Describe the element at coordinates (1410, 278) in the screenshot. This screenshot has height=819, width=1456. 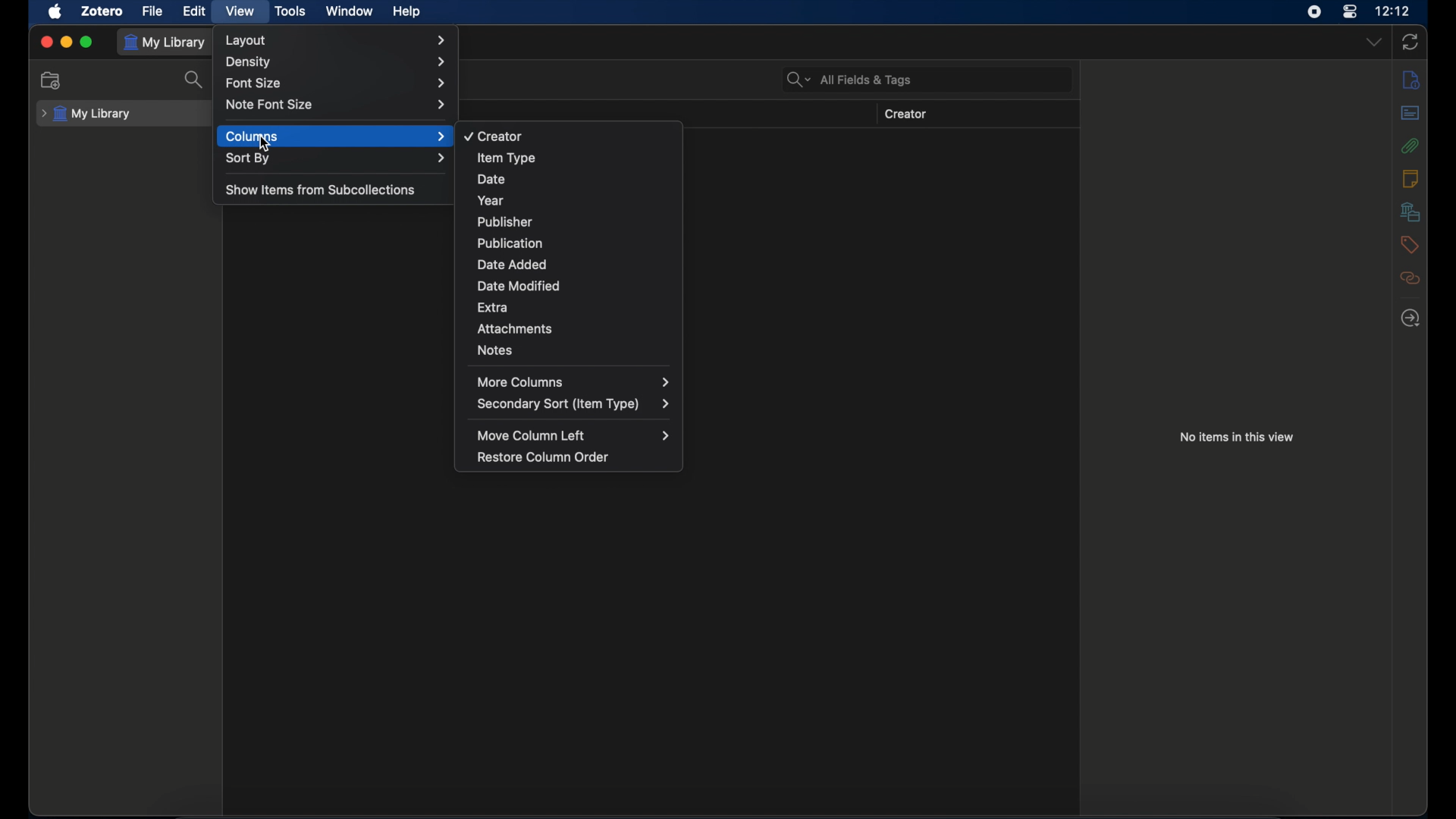
I see `related` at that location.